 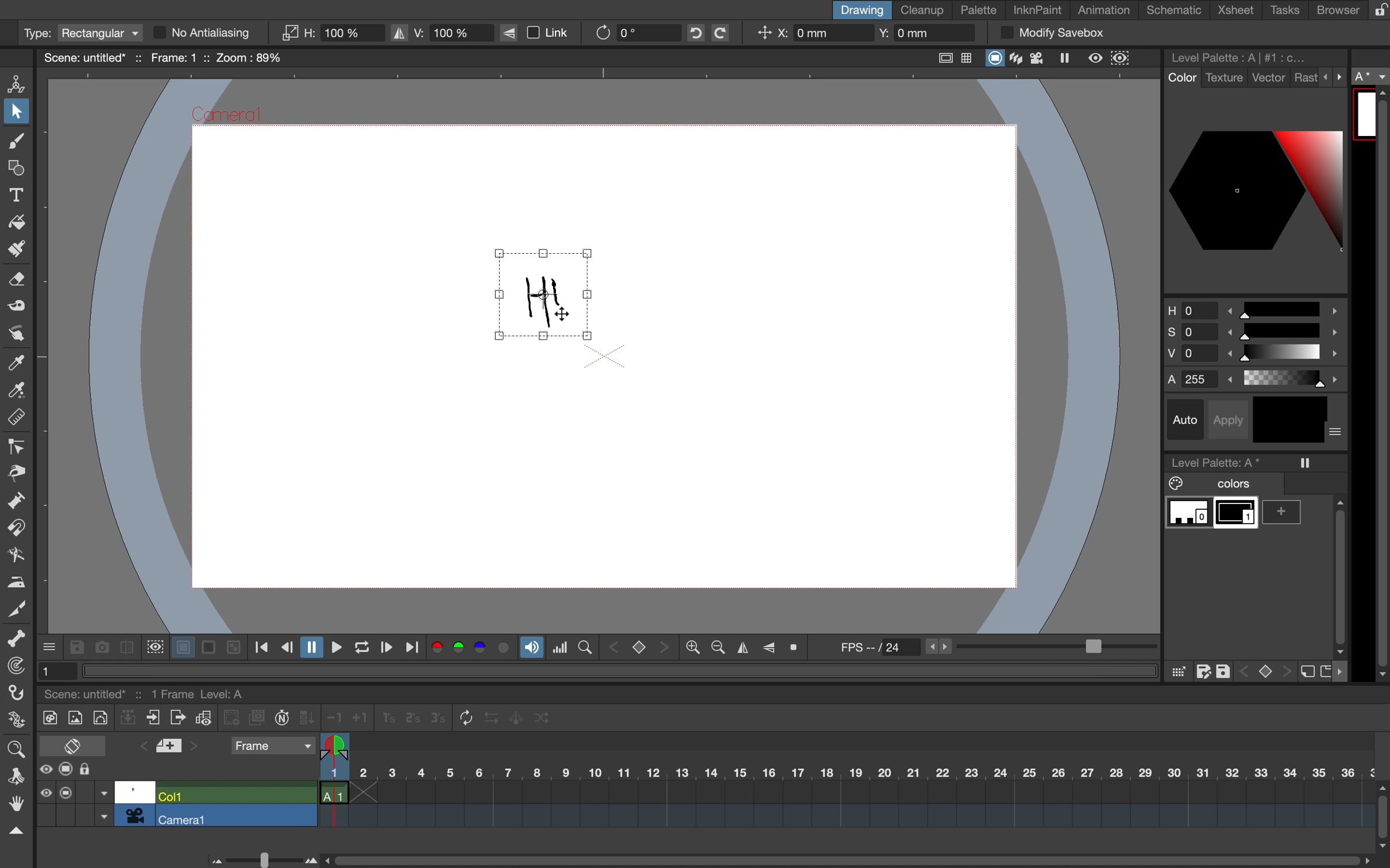 I want to click on safe area, so click(x=942, y=56).